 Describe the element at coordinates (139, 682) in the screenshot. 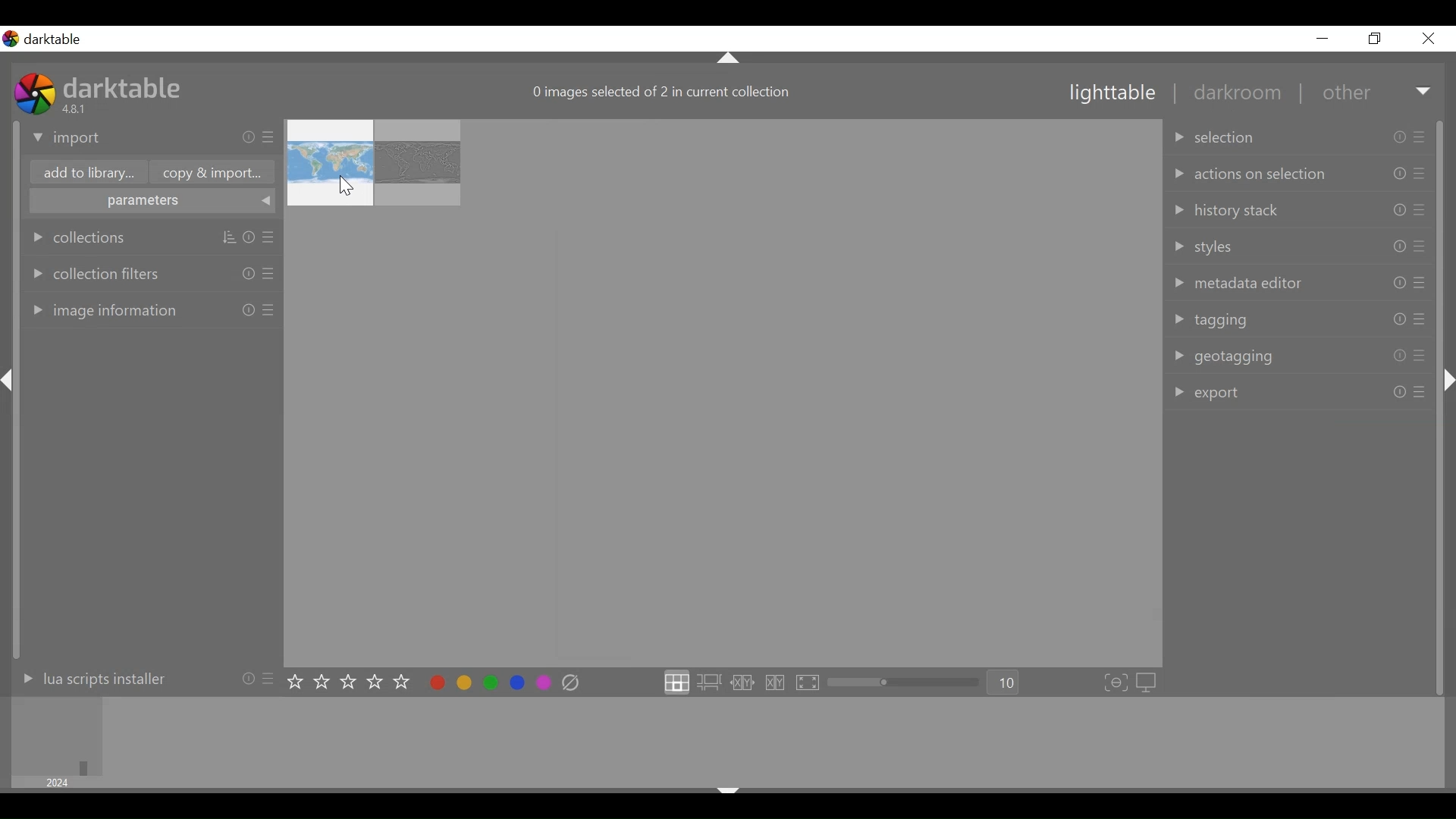

I see `lua scripts installer` at that location.